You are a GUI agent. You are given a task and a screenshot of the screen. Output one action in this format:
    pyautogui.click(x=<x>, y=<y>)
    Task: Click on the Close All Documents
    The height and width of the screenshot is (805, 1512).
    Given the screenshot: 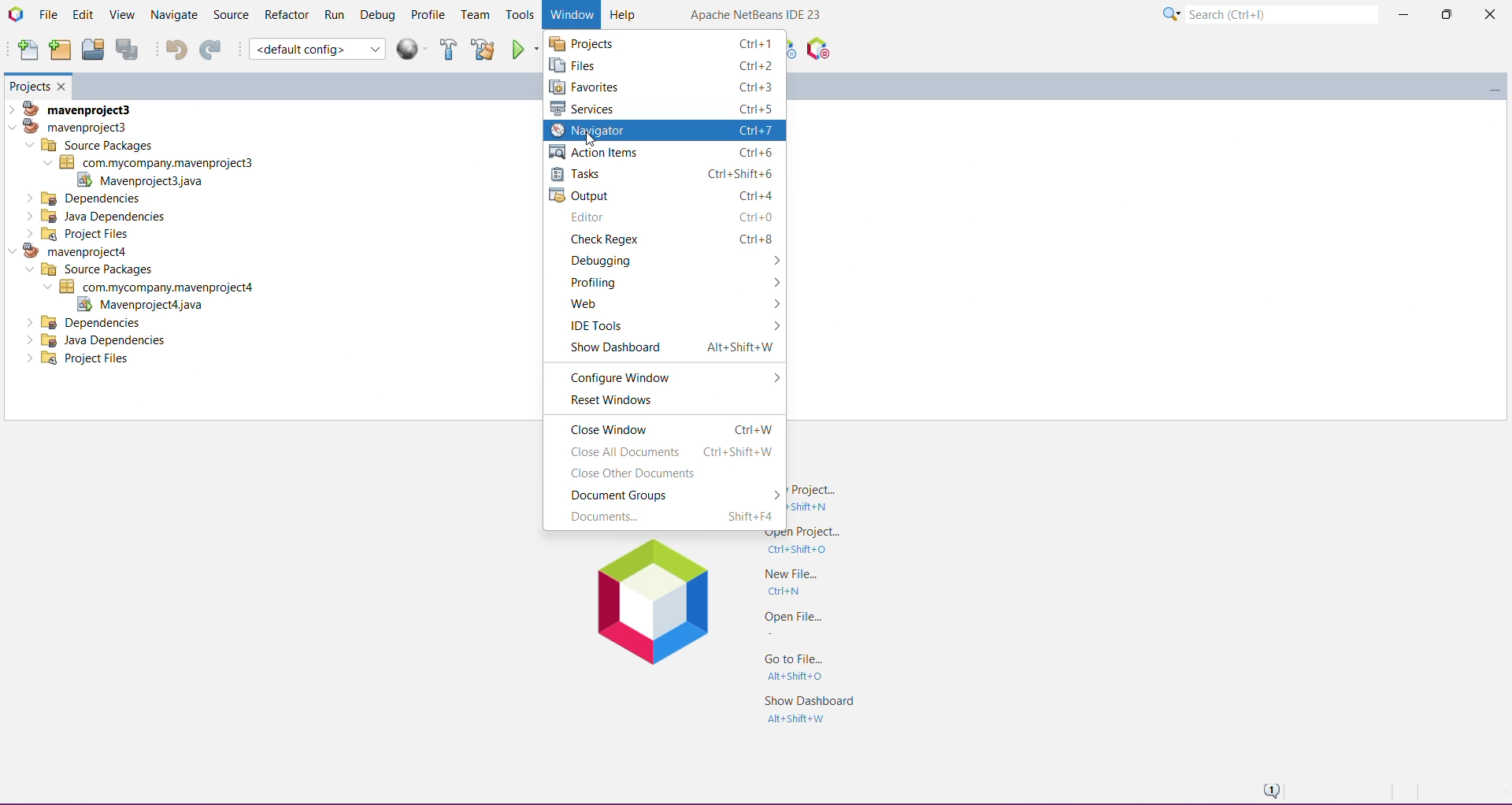 What is the action you would take?
    pyautogui.click(x=665, y=451)
    